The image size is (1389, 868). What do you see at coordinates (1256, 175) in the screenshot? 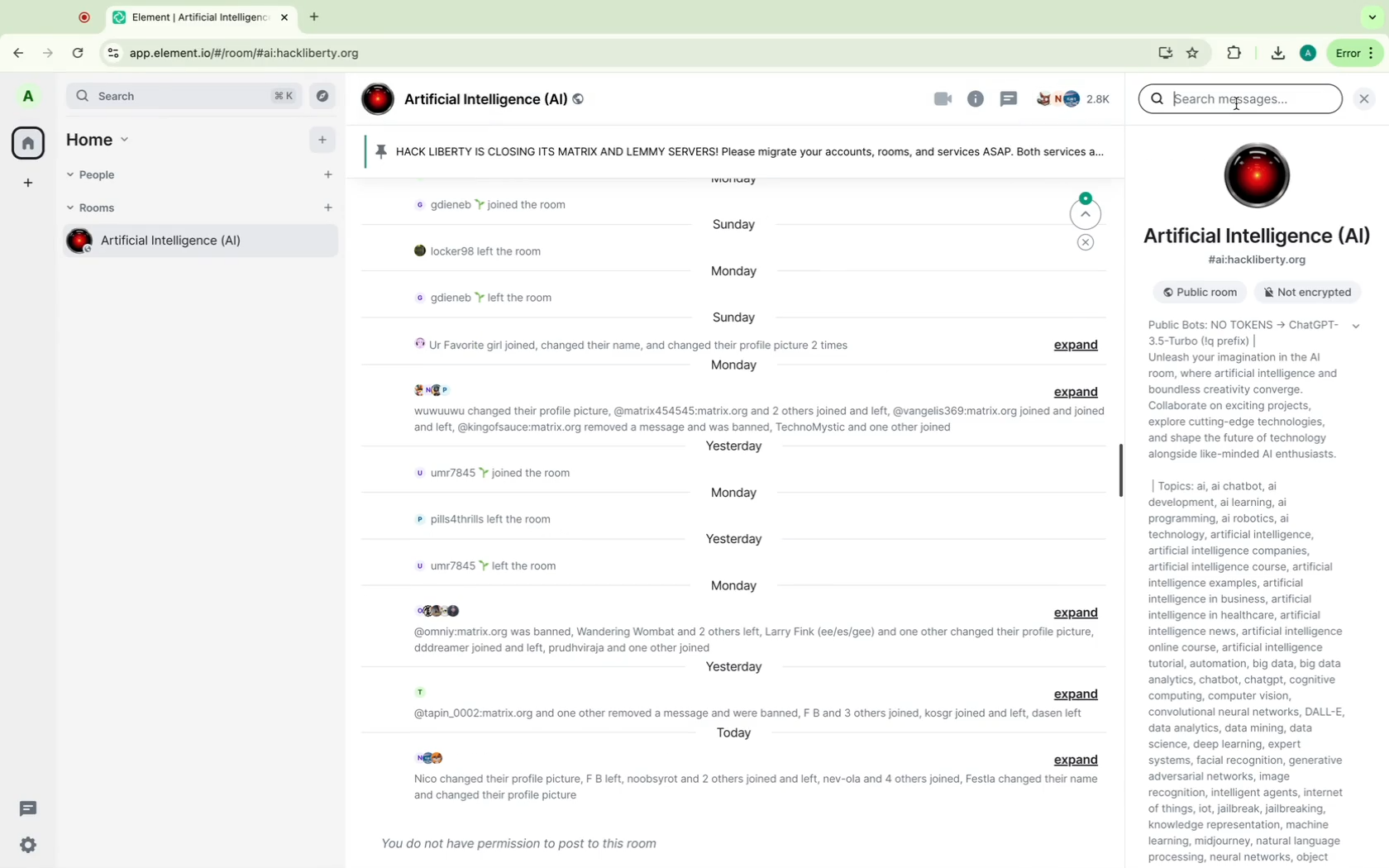
I see `group picture` at bounding box center [1256, 175].